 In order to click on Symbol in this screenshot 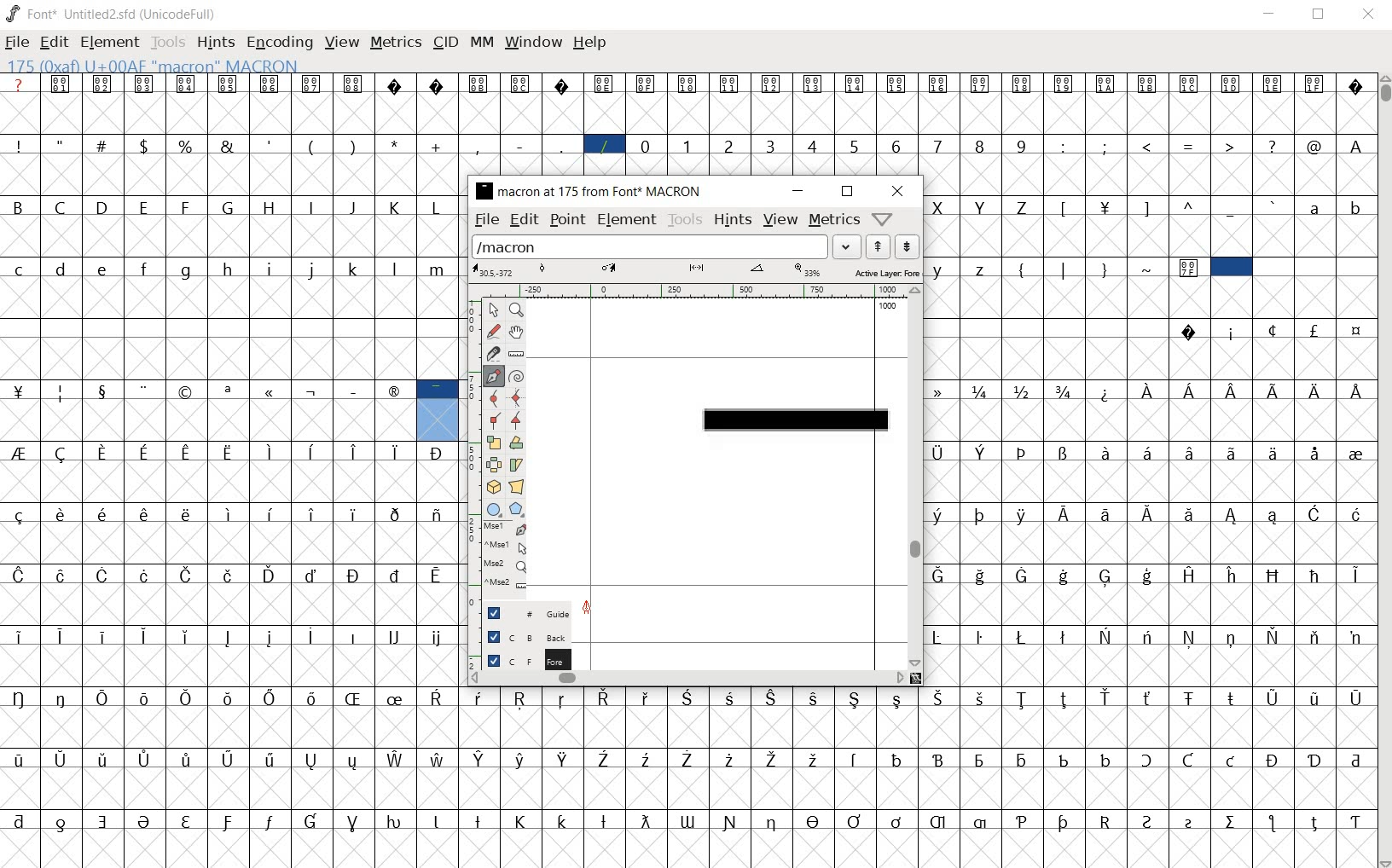, I will do `click(20, 574)`.